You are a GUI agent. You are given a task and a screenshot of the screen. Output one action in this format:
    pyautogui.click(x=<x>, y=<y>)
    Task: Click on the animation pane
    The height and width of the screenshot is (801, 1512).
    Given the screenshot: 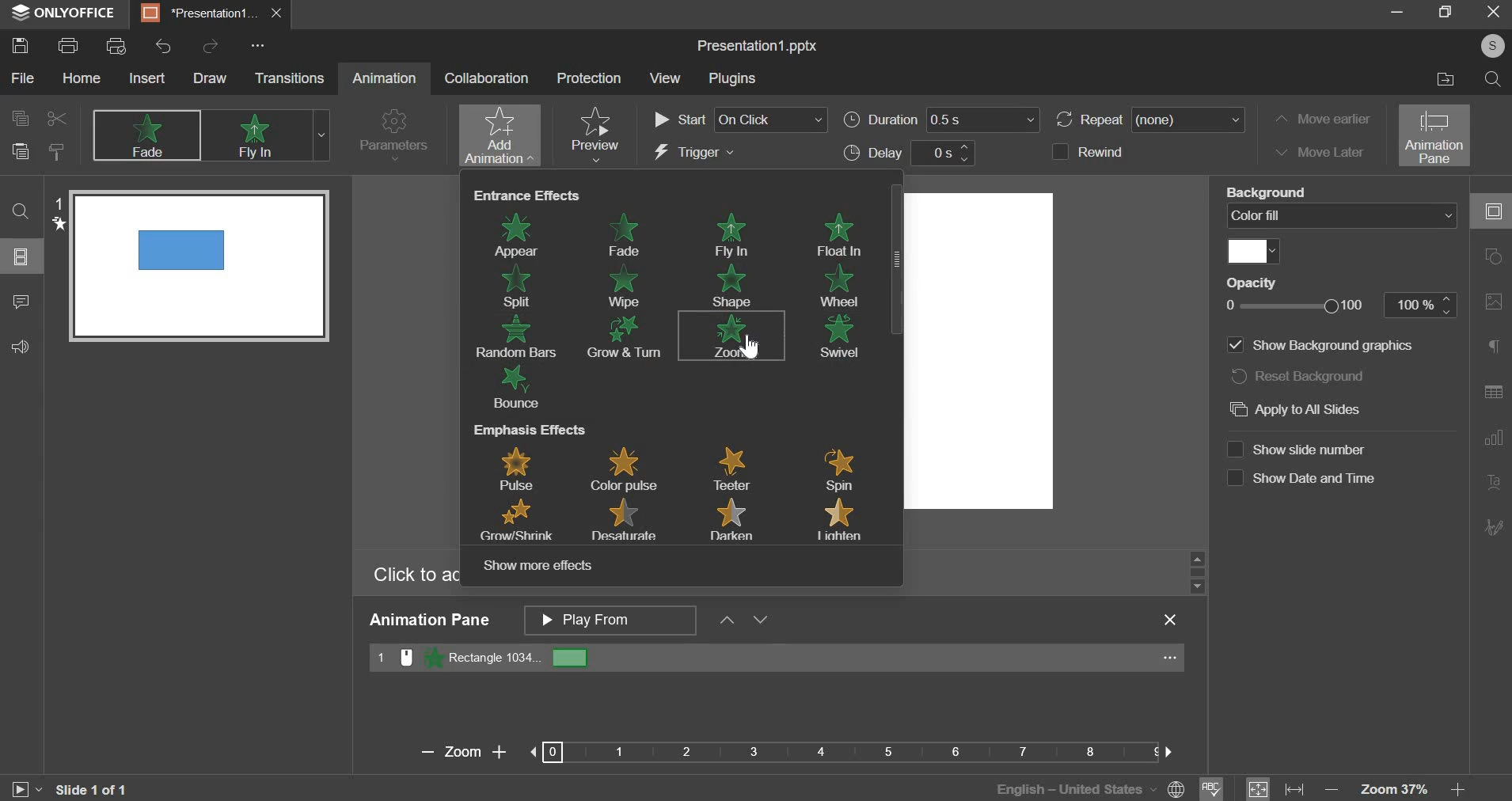 What is the action you would take?
    pyautogui.click(x=610, y=620)
    